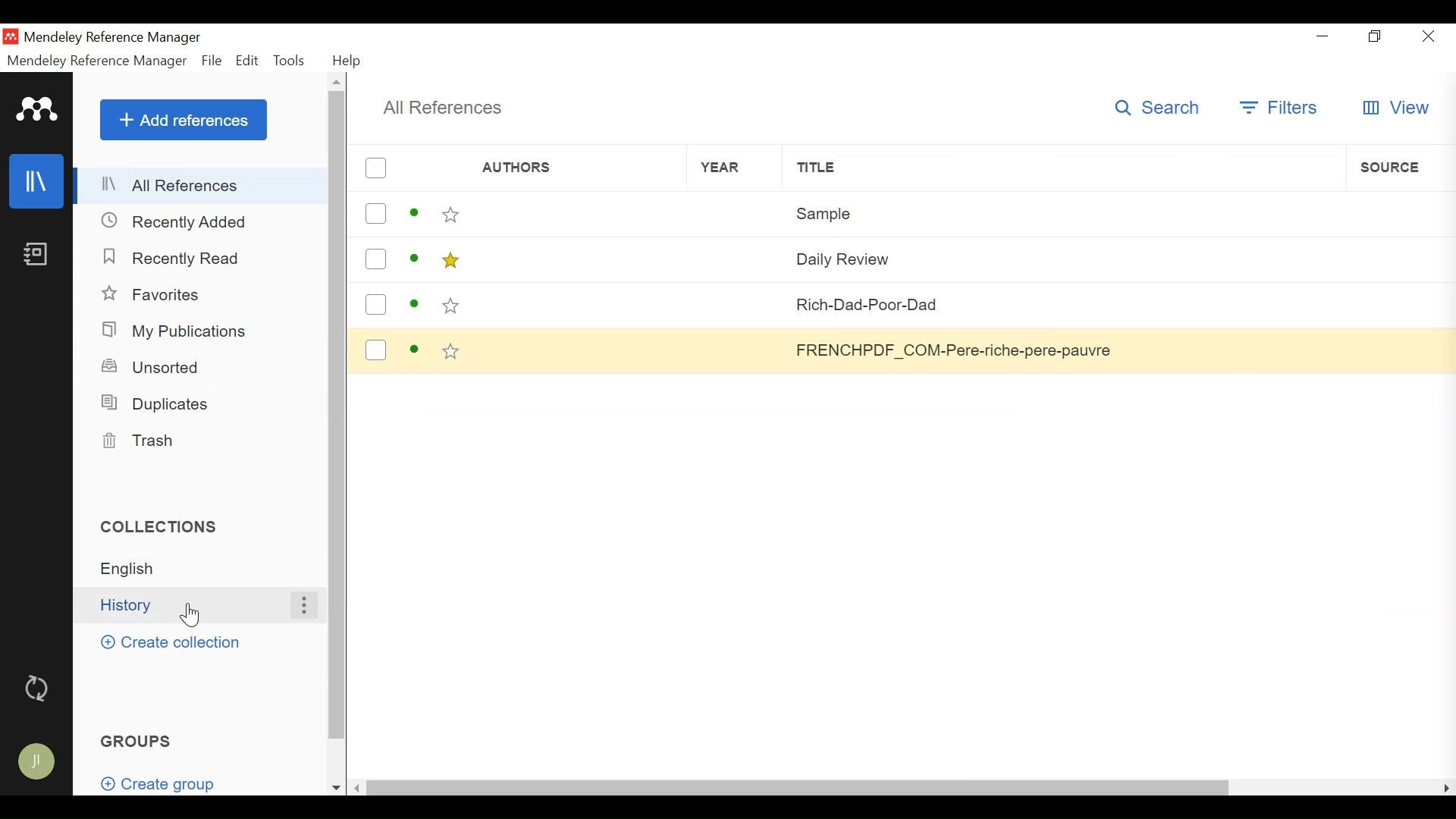 The image size is (1456, 819). I want to click on Mendeley Desktop Icon, so click(12, 36).